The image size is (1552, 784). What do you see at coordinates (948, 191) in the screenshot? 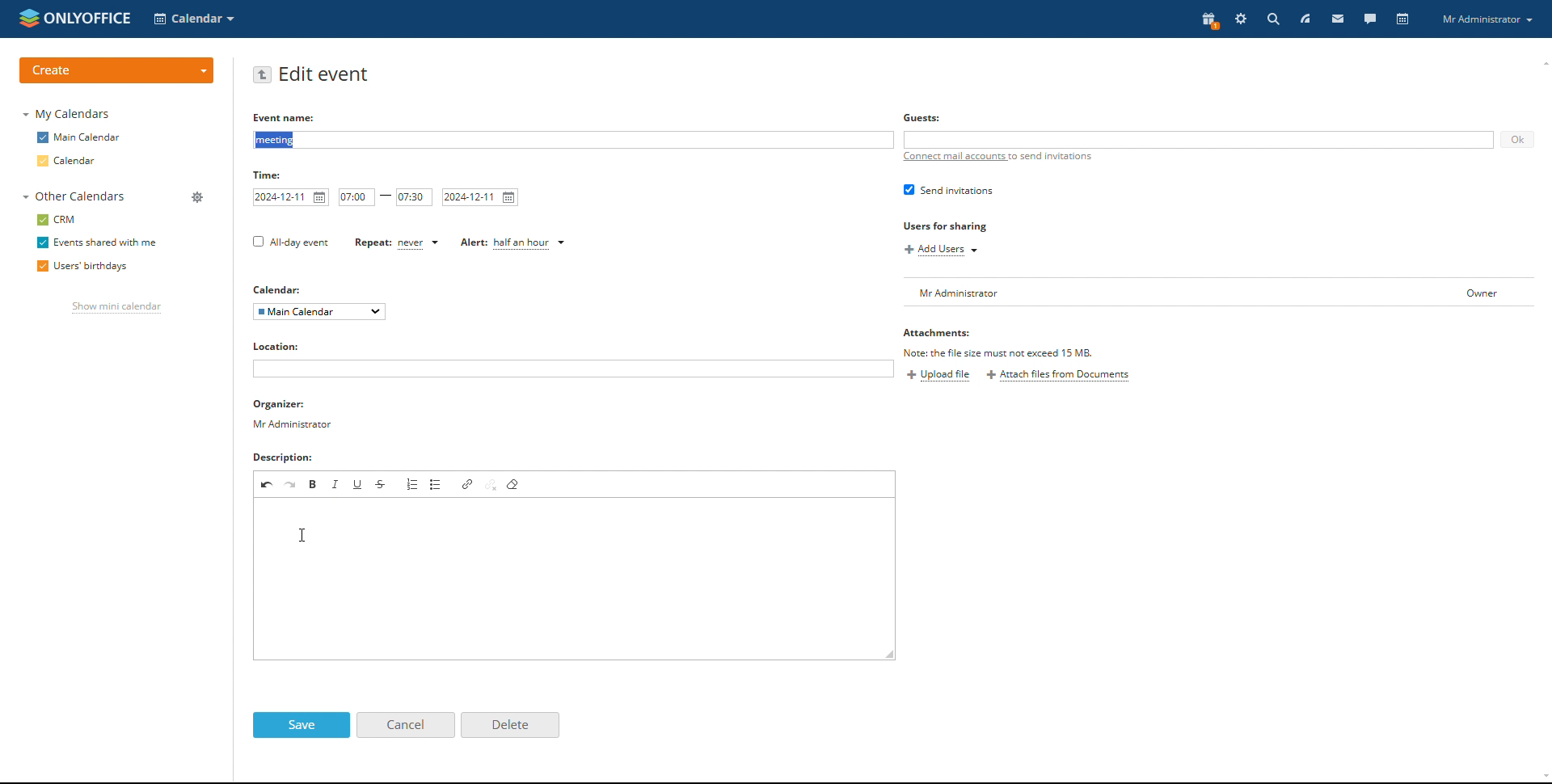
I see `send invitations` at bounding box center [948, 191].